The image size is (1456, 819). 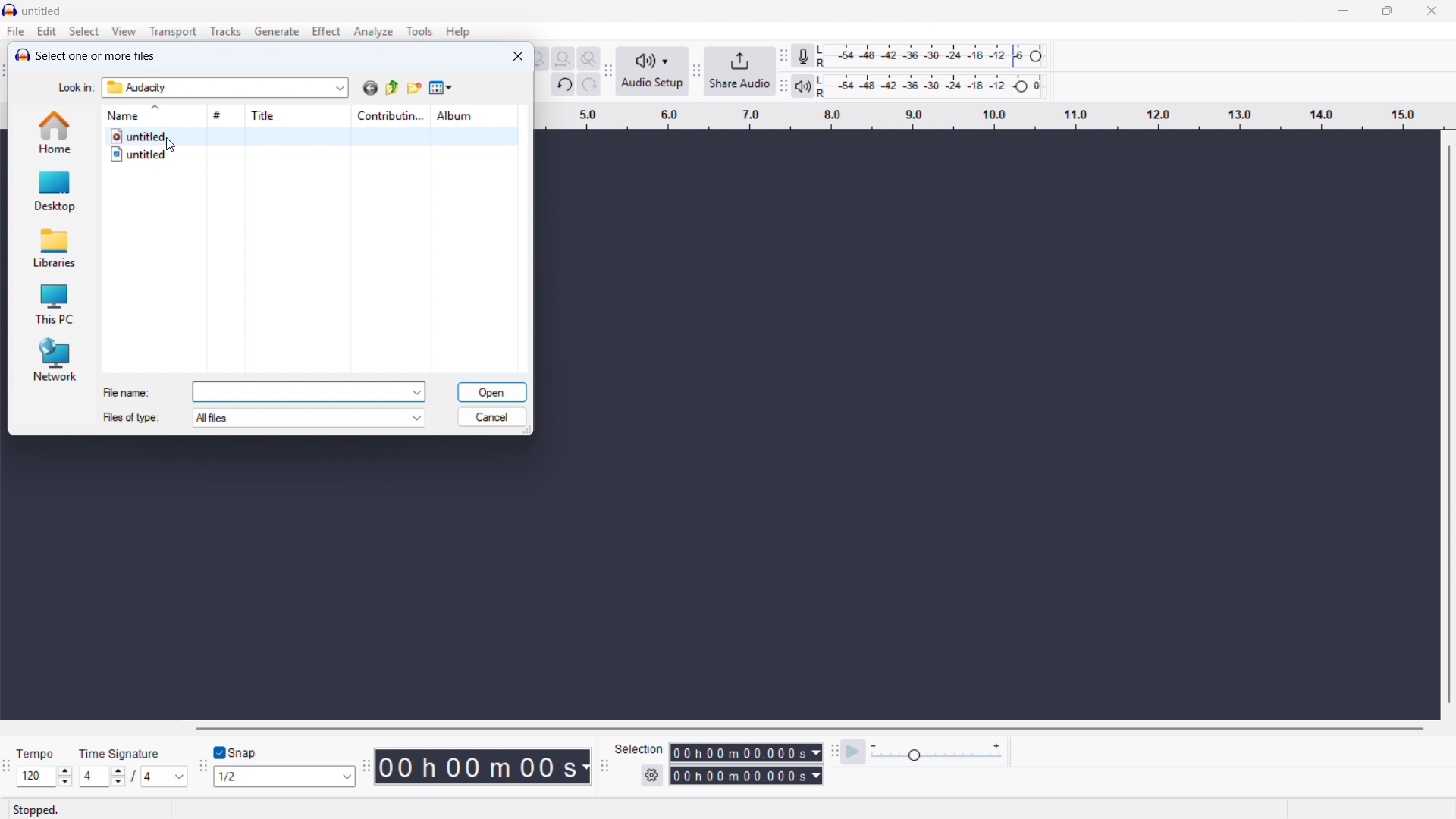 I want to click on Album , so click(x=472, y=115).